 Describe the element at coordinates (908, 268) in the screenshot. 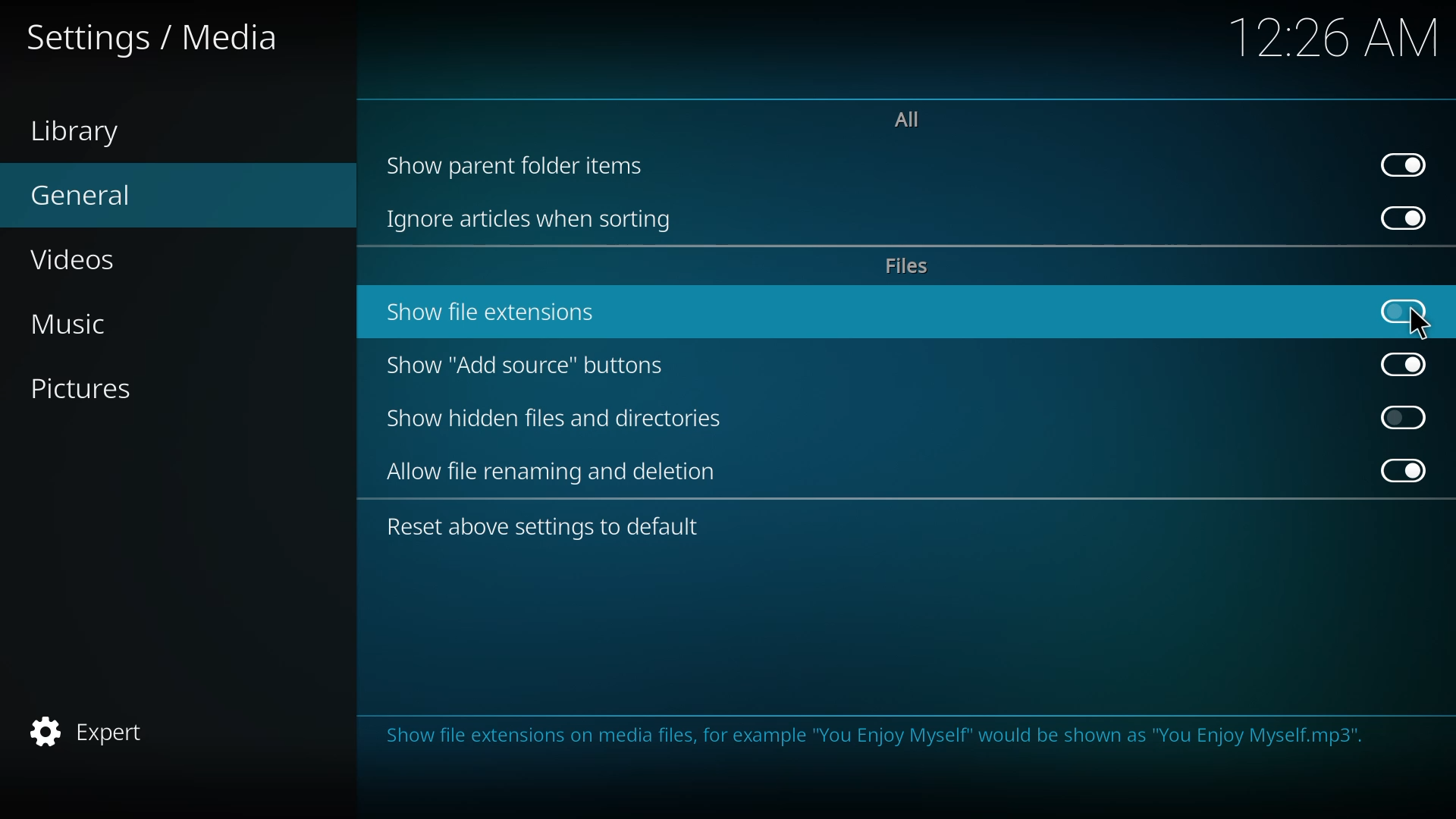

I see `files` at that location.